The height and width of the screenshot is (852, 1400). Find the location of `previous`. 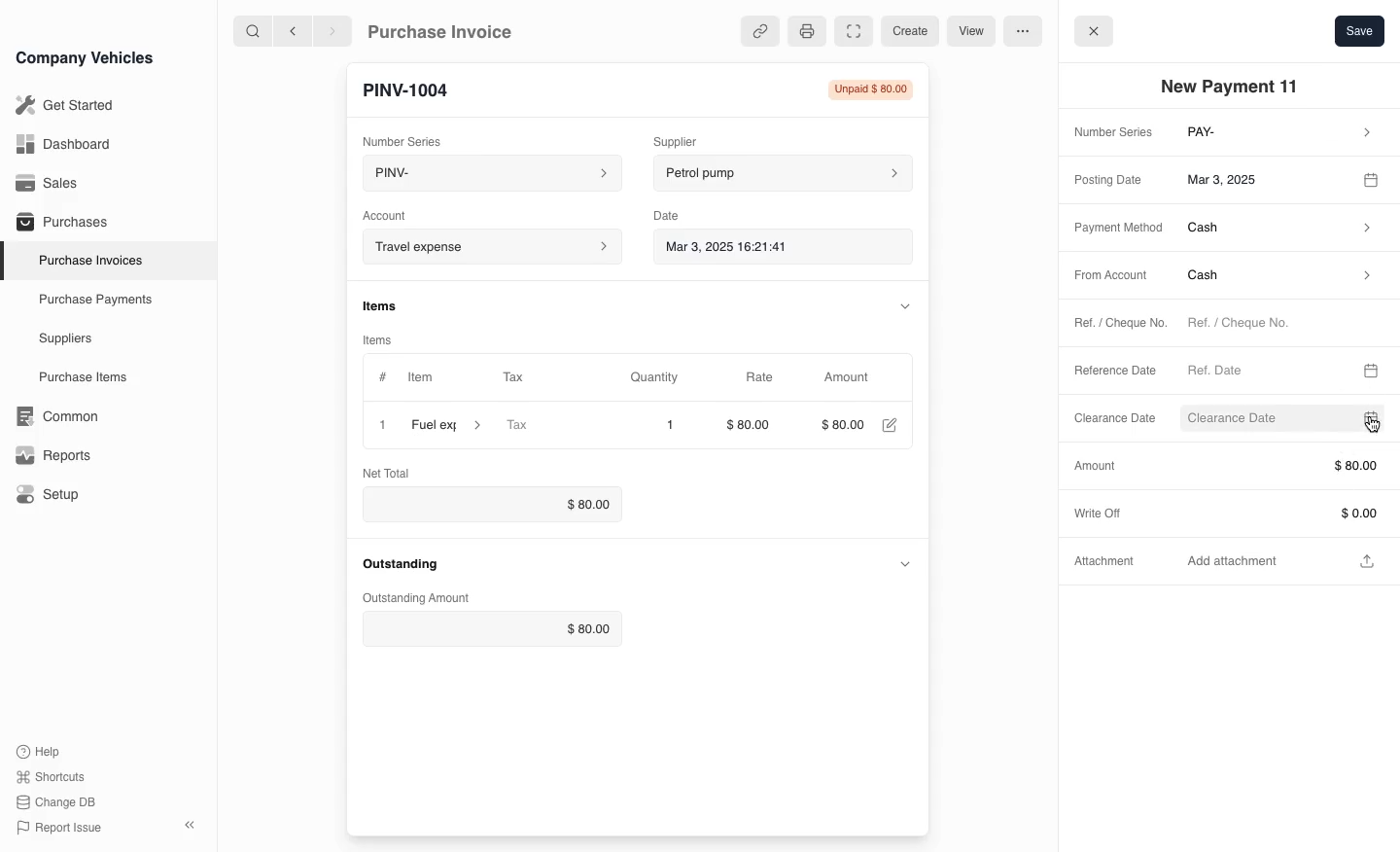

previous is located at coordinates (291, 30).